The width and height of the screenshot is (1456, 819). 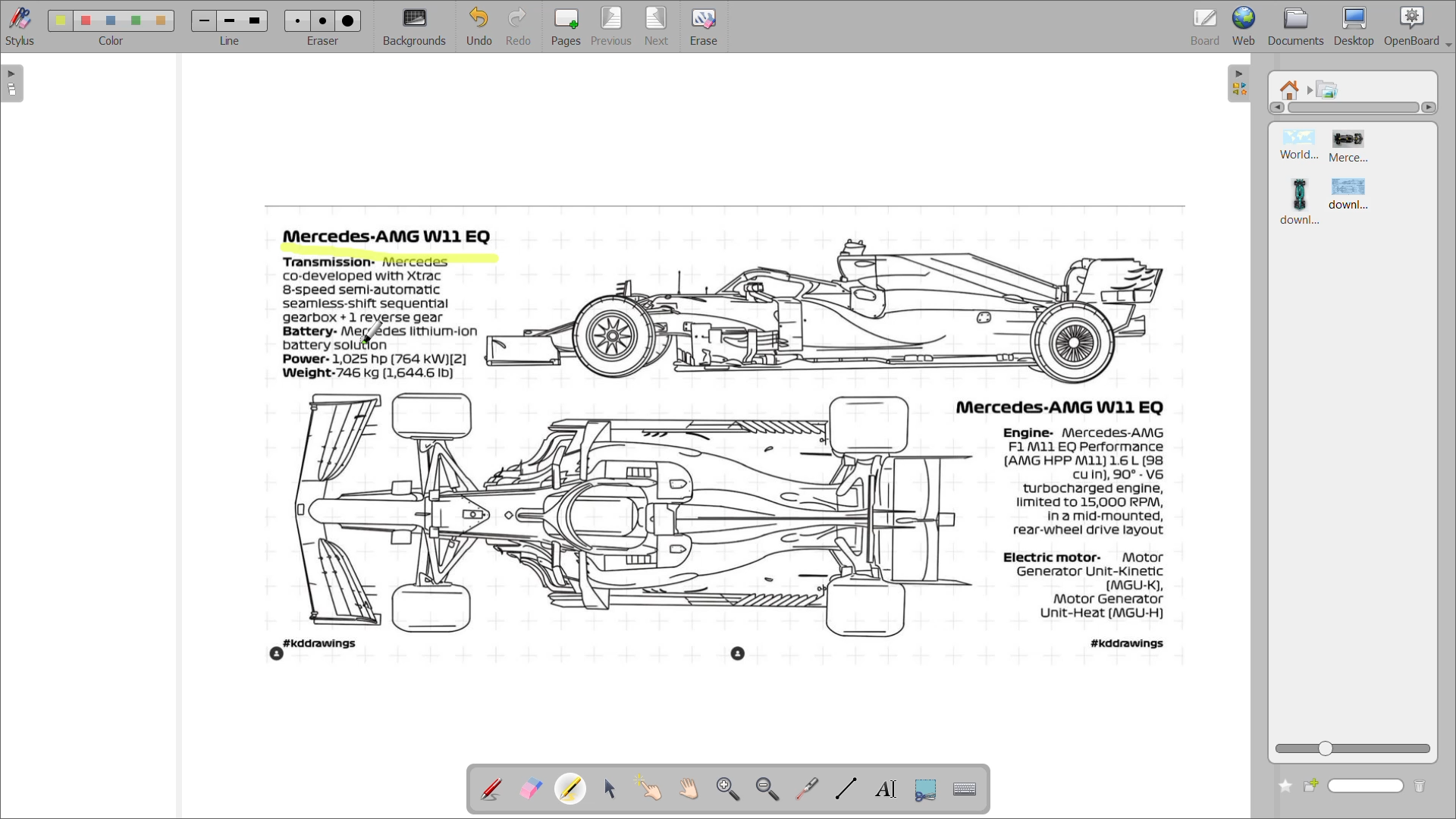 What do you see at coordinates (733, 789) in the screenshot?
I see `zoom in` at bounding box center [733, 789].